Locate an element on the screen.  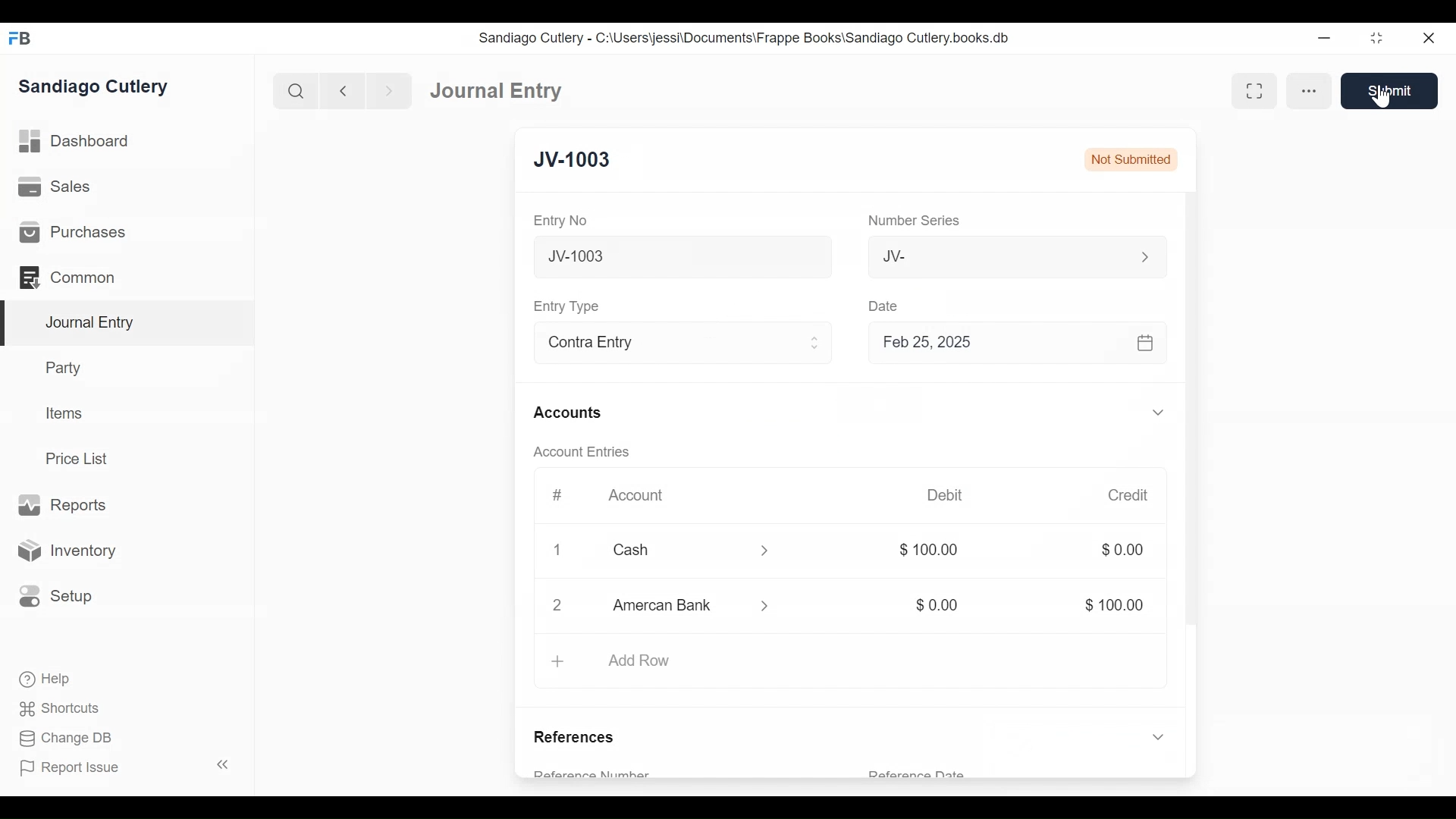
Sales is located at coordinates (53, 188).